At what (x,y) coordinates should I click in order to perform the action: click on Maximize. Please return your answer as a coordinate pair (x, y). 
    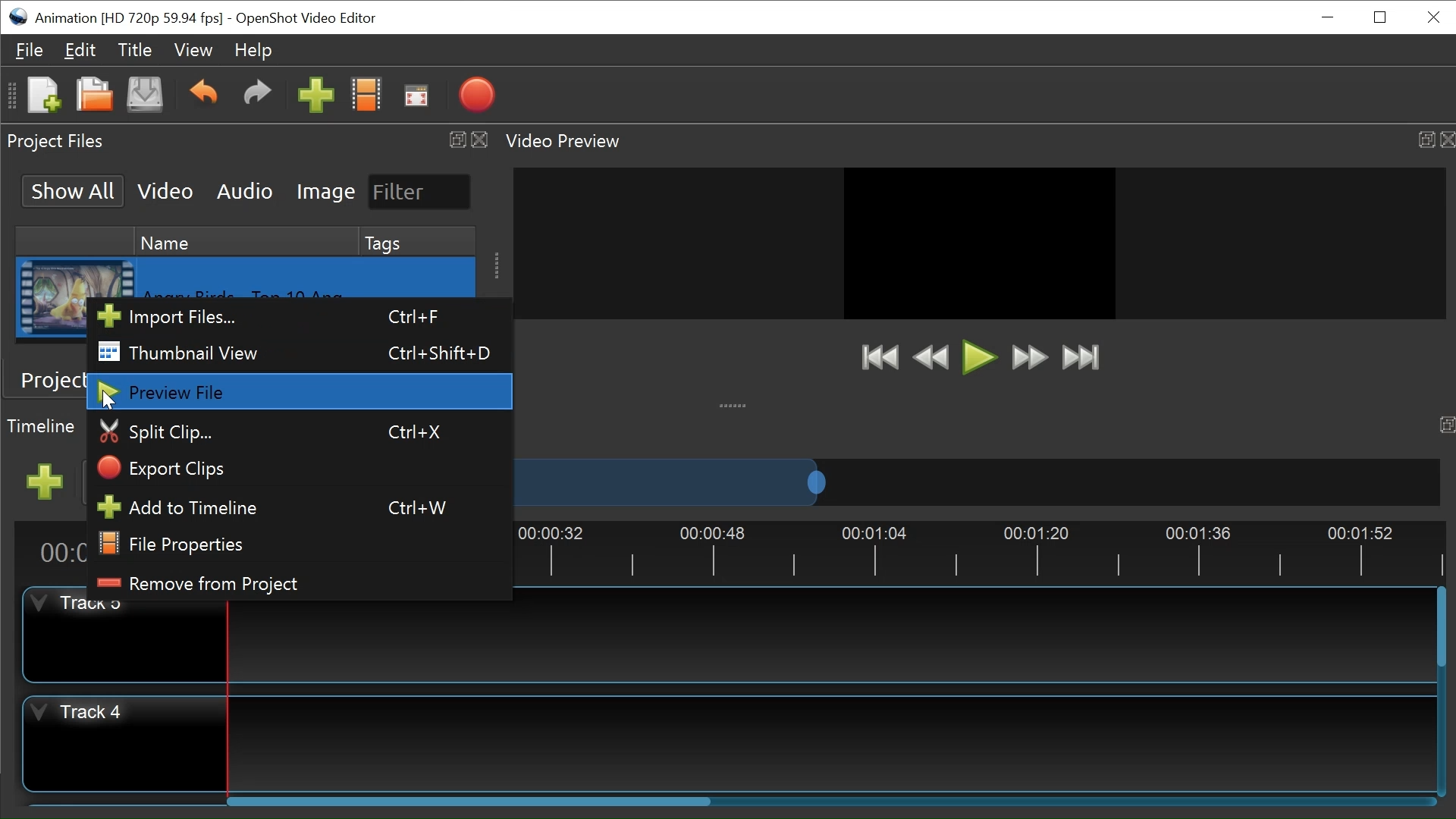
    Looking at the image, I should click on (456, 140).